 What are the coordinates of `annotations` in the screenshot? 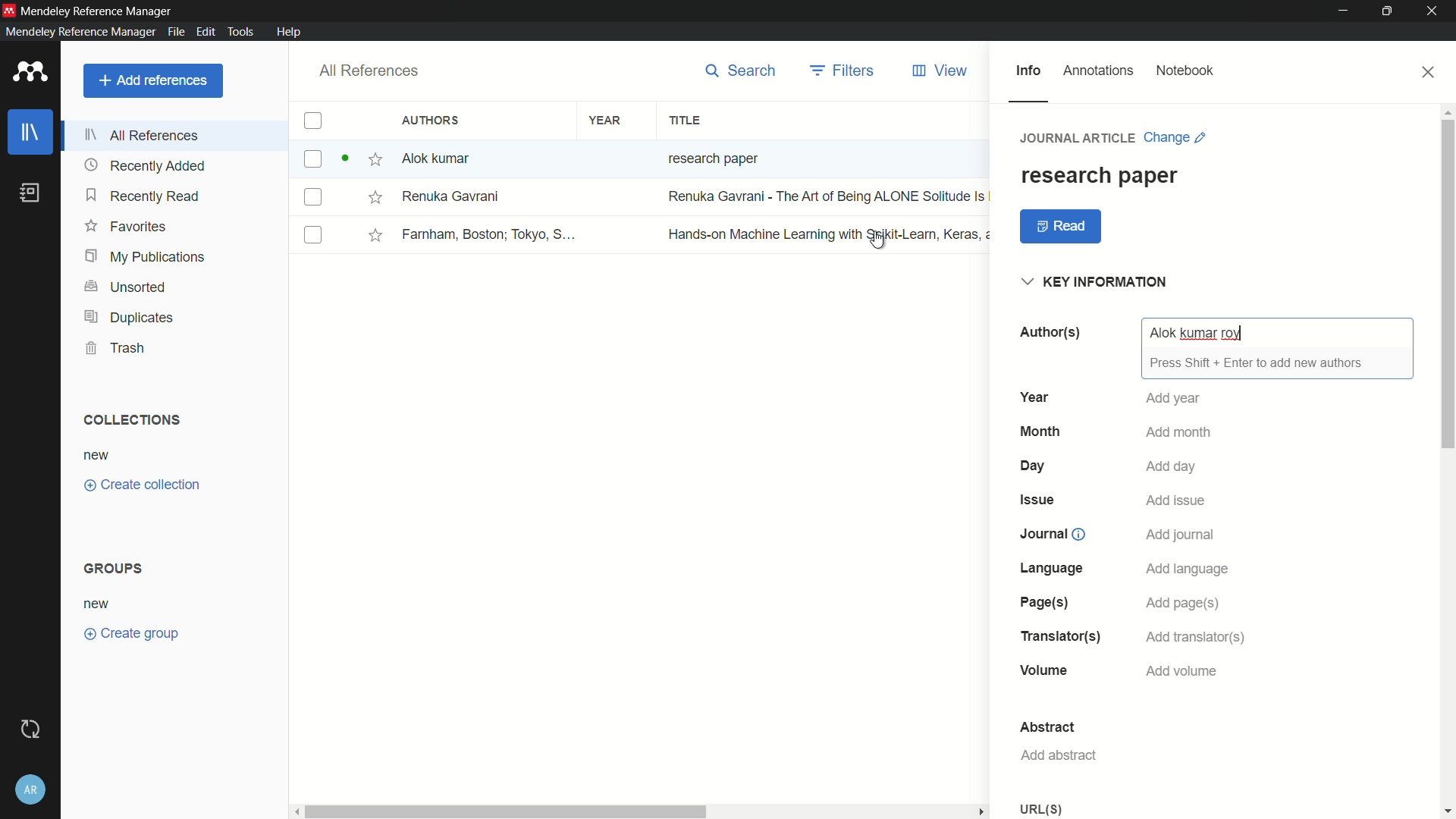 It's located at (1099, 71).